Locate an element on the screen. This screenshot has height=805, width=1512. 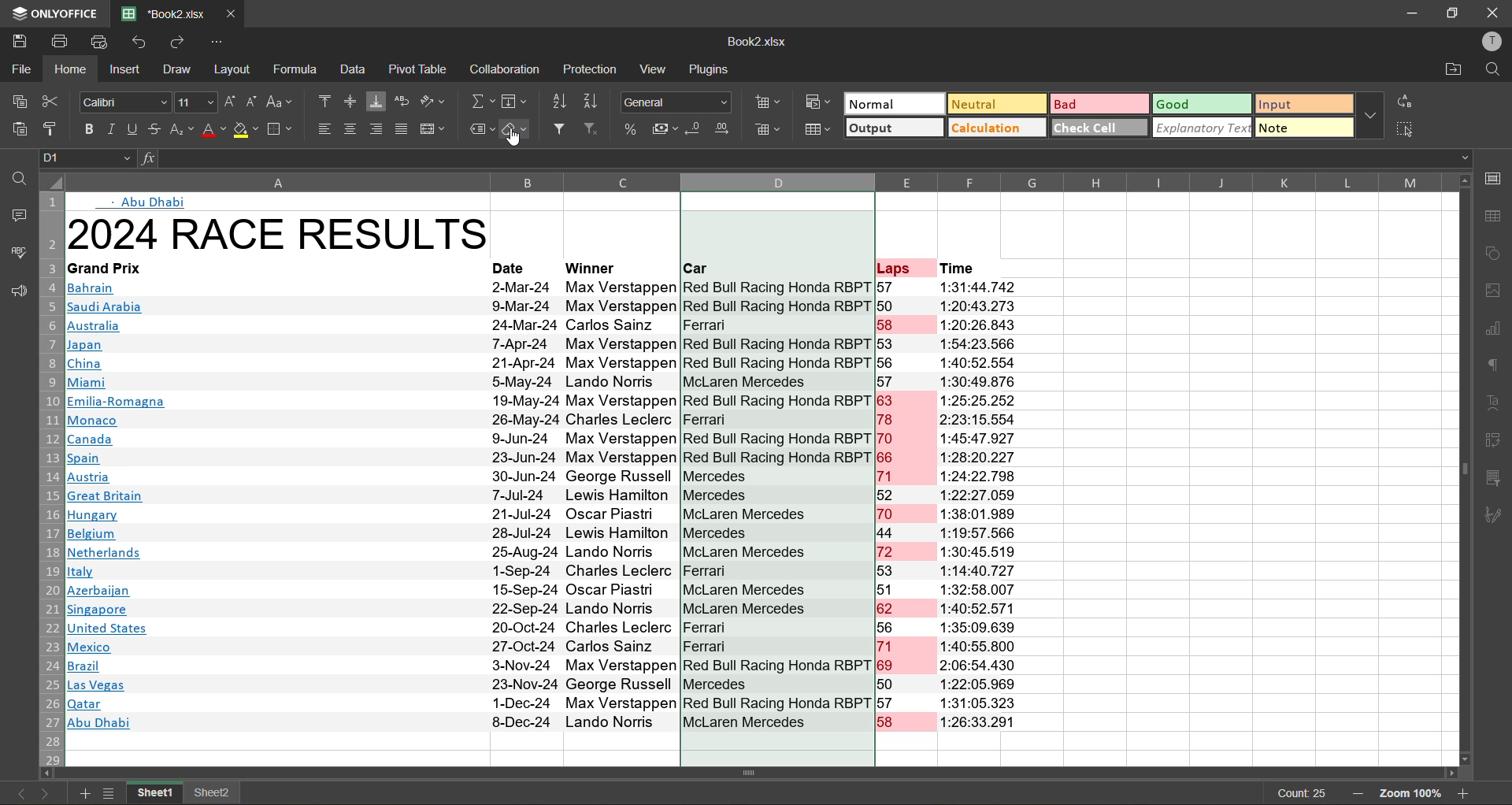
input is located at coordinates (1303, 103).